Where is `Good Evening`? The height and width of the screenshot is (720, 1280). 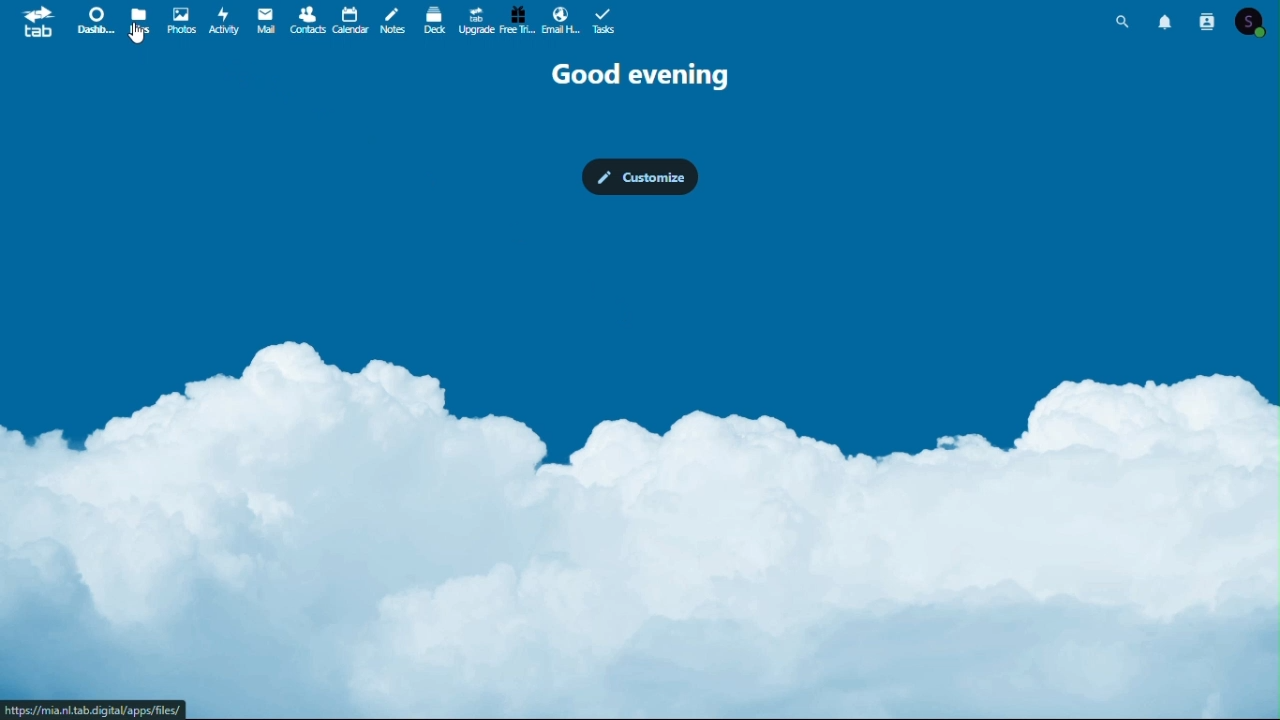
Good Evening is located at coordinates (640, 75).